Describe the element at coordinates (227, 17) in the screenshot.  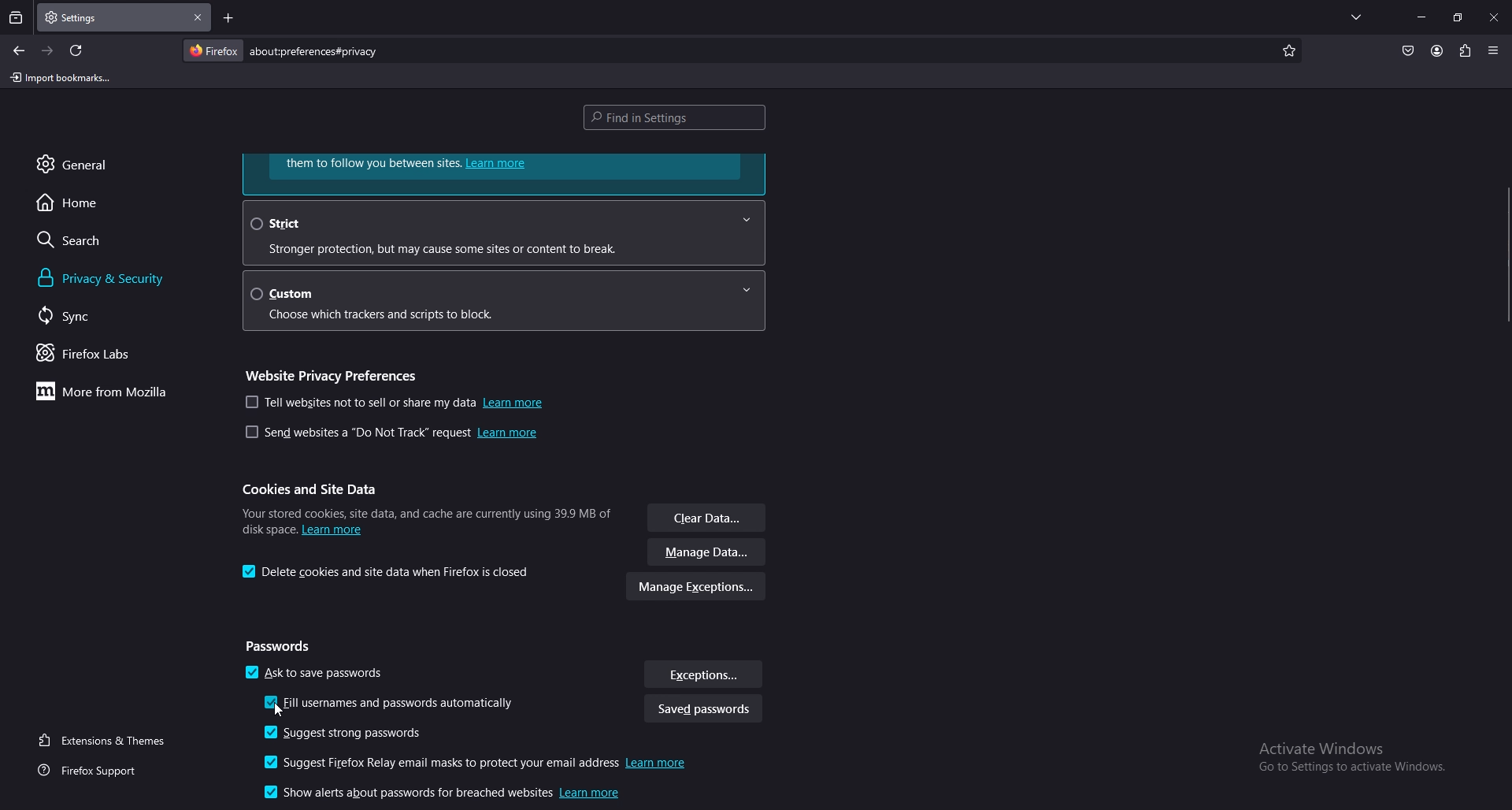
I see `add tab` at that location.